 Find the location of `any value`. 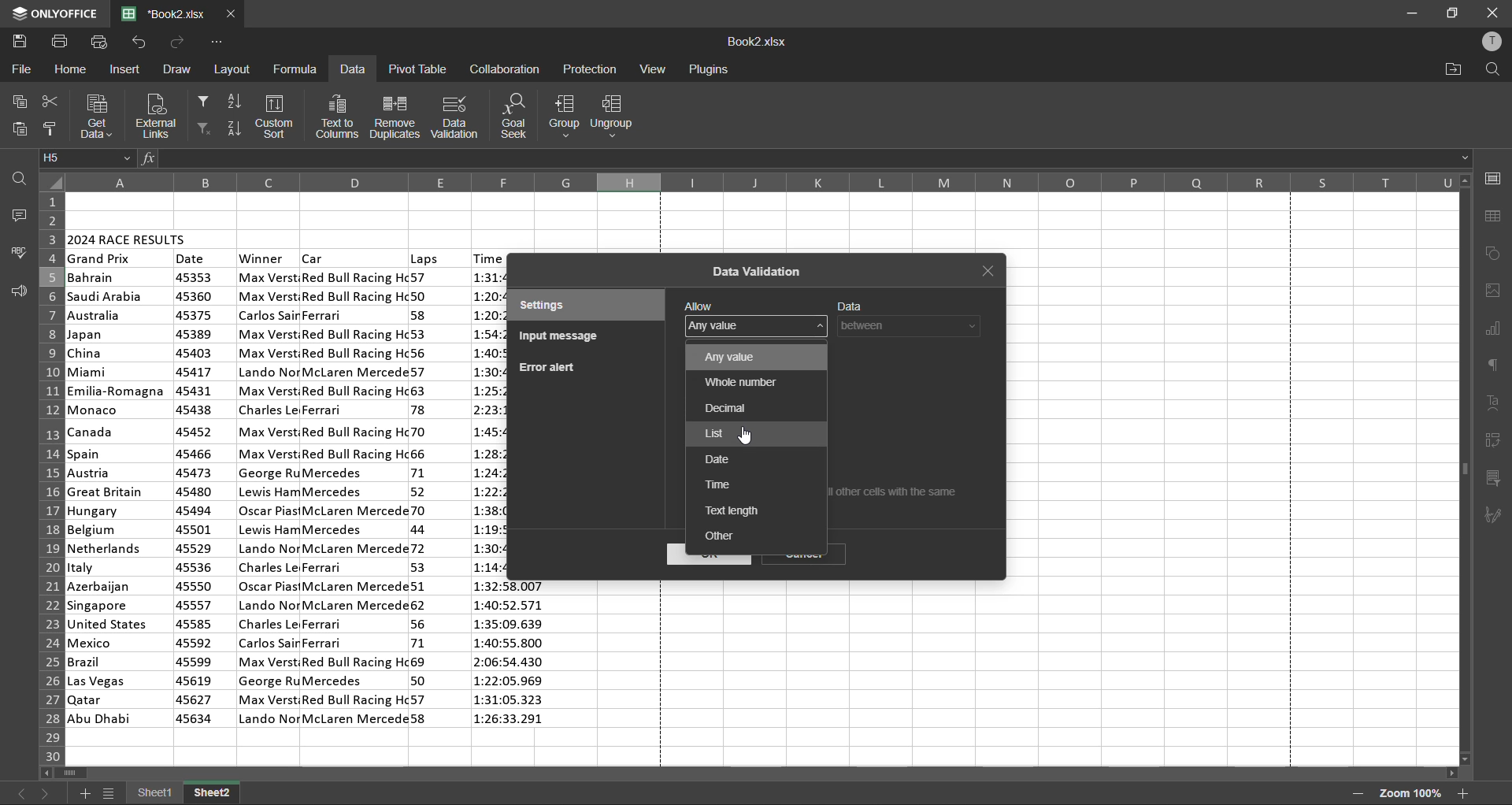

any value is located at coordinates (737, 357).